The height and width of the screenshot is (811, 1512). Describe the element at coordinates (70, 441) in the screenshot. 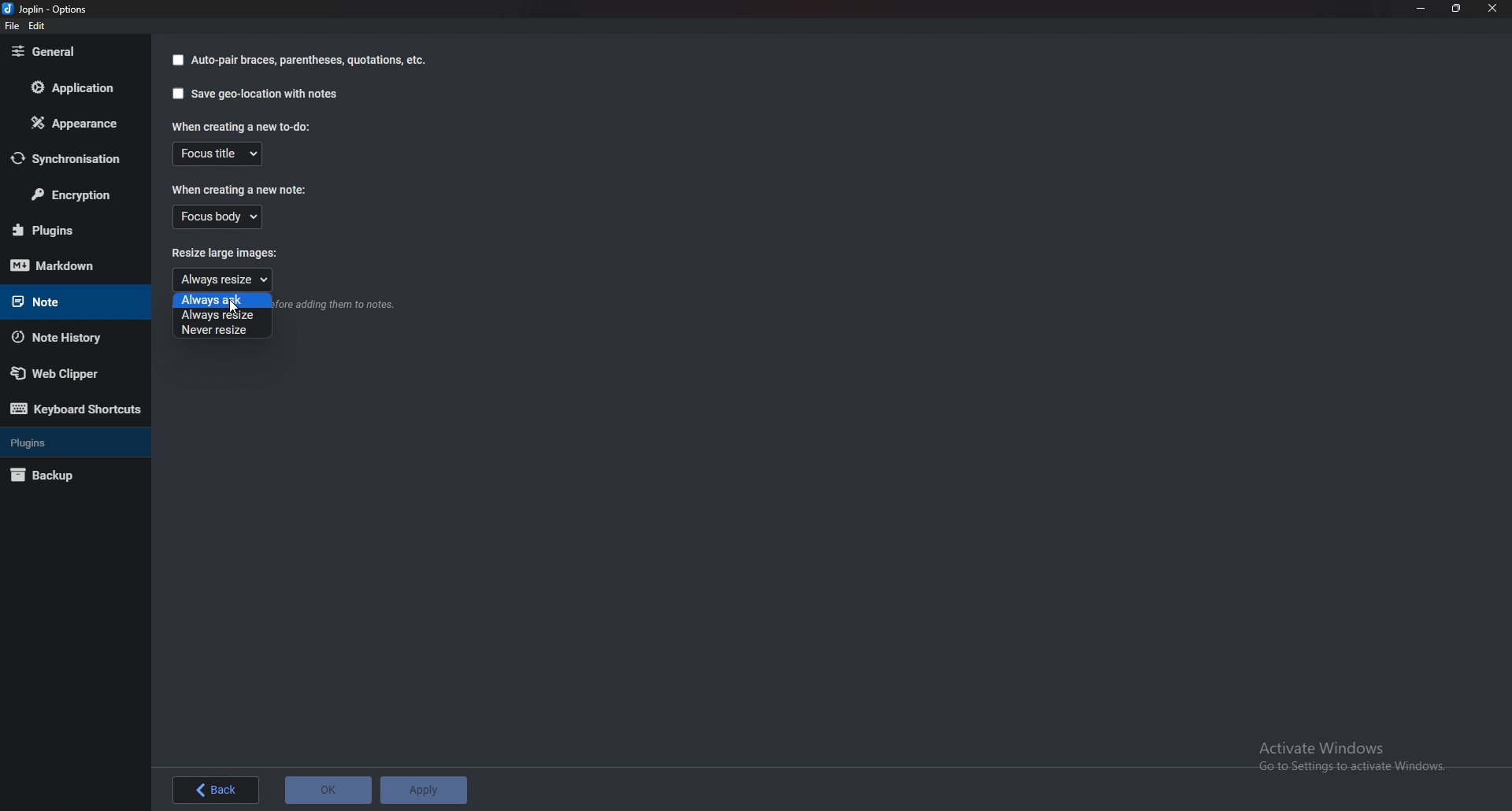

I see `Plugins` at that location.